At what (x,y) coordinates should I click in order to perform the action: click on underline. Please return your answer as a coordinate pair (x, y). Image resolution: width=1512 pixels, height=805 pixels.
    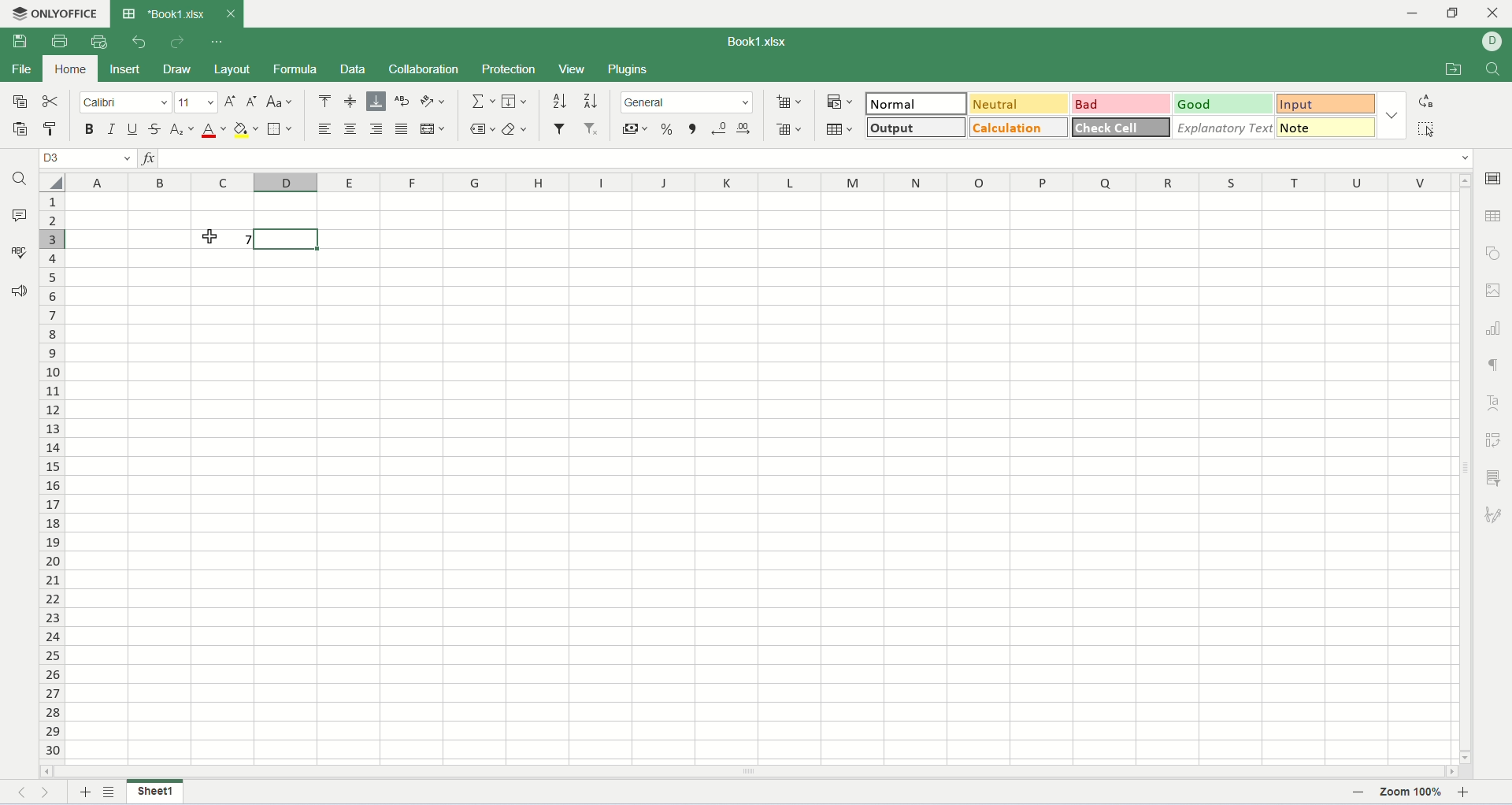
    Looking at the image, I should click on (132, 128).